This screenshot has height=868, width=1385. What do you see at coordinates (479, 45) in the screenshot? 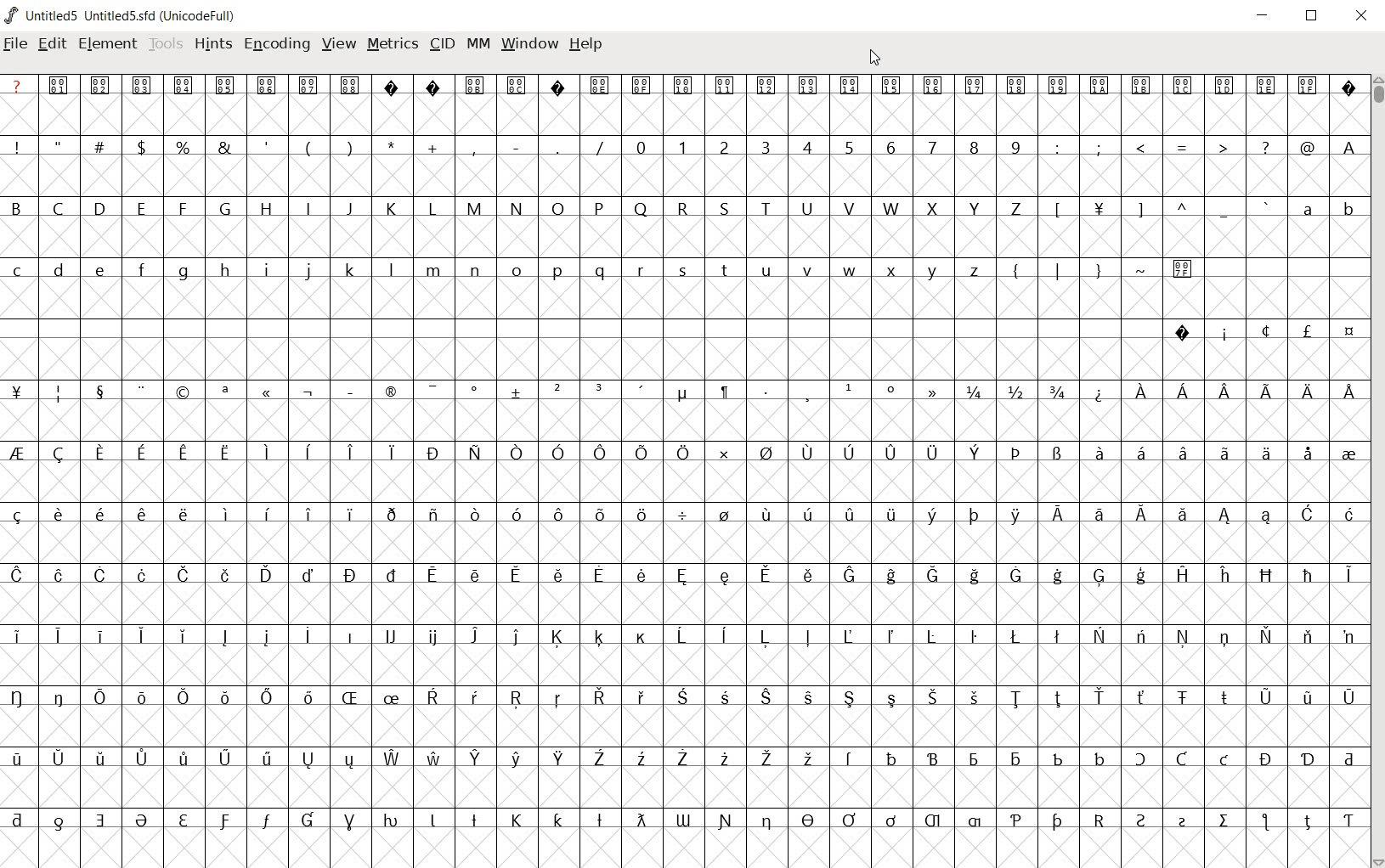
I see `MM` at bounding box center [479, 45].